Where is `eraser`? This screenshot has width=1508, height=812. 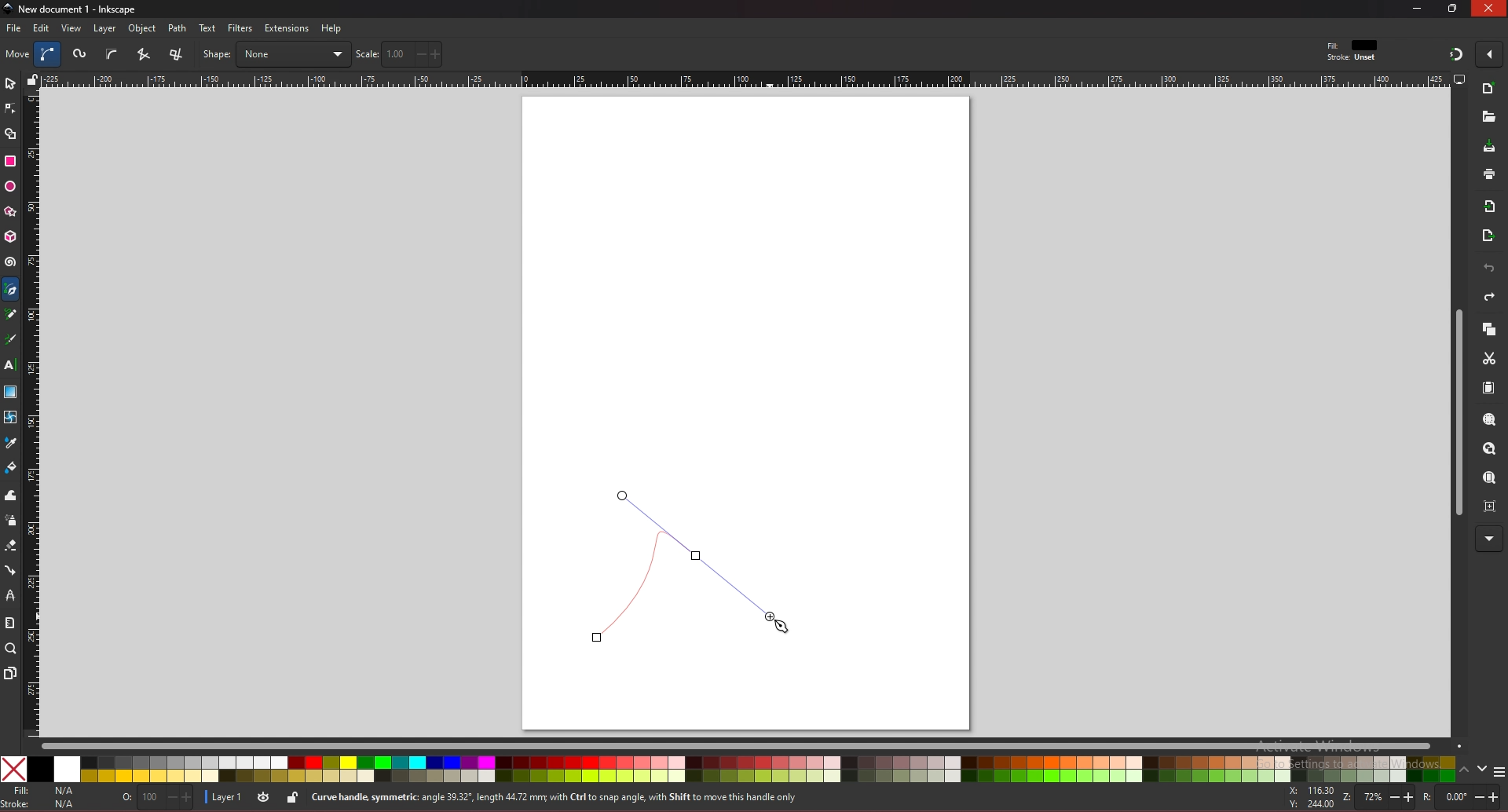
eraser is located at coordinates (10, 546).